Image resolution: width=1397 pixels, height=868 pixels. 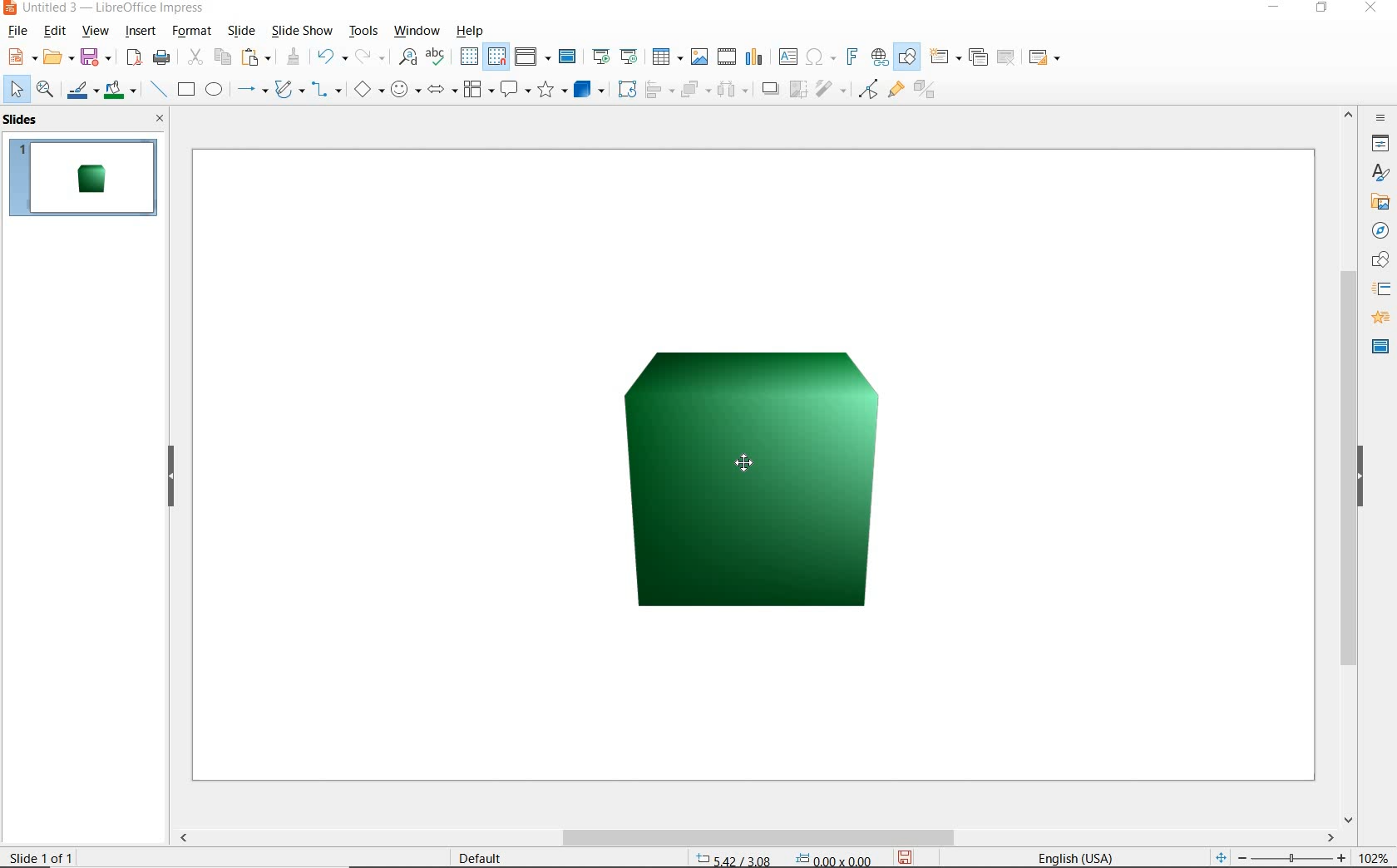 What do you see at coordinates (1380, 118) in the screenshot?
I see `SIDEBAR SETTINGS` at bounding box center [1380, 118].